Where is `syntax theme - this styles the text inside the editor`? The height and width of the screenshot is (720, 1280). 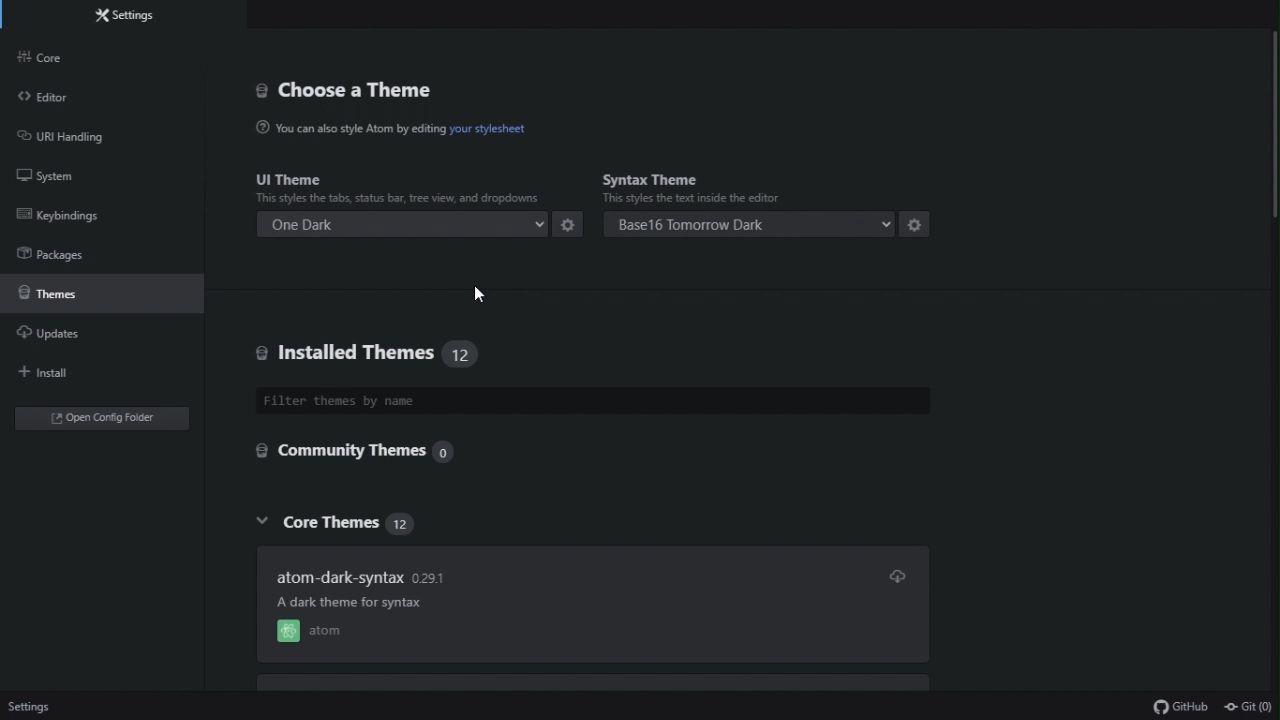 syntax theme - this styles the text inside the editor is located at coordinates (755, 183).